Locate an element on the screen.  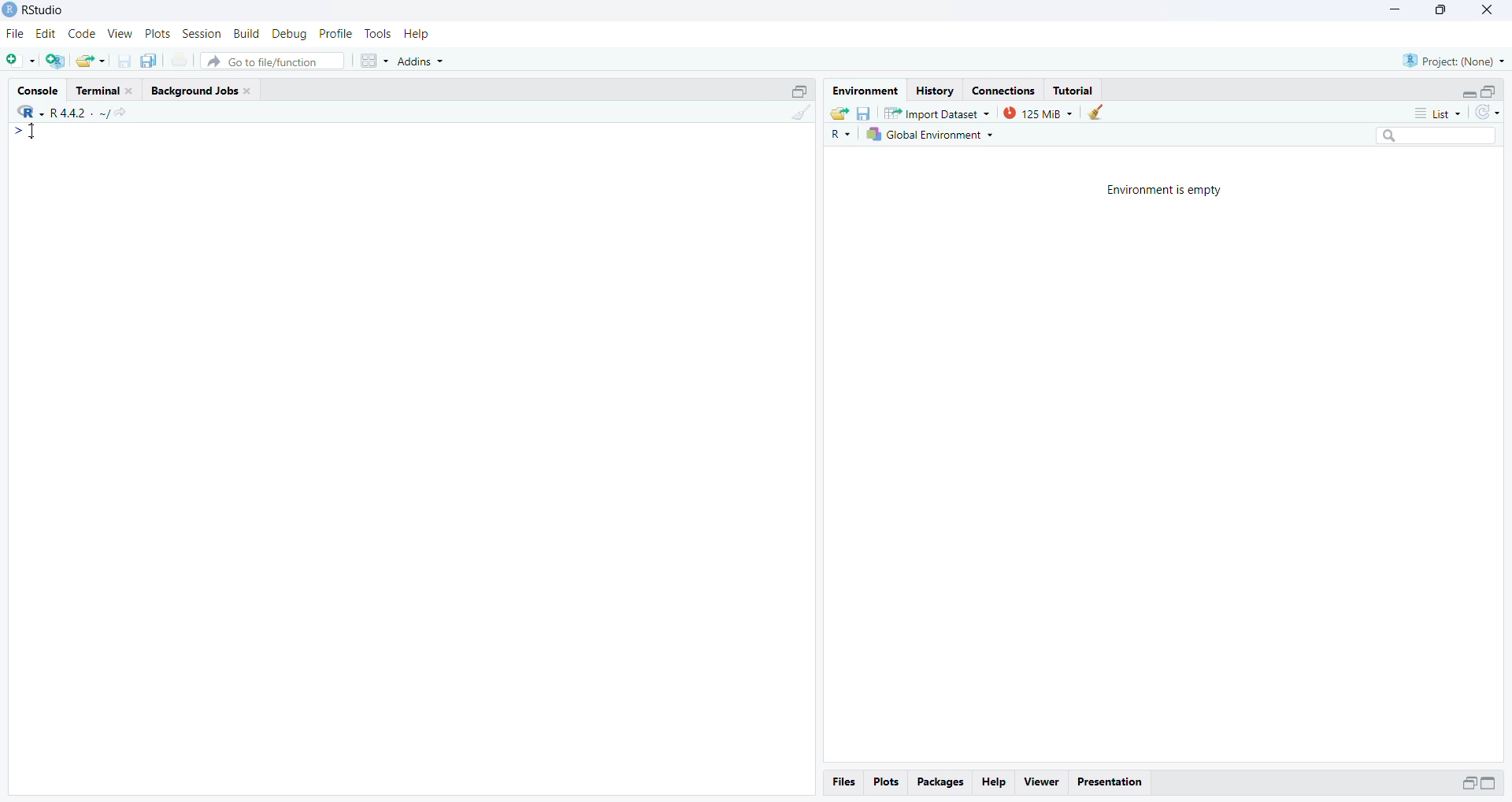
View is located at coordinates (120, 33).